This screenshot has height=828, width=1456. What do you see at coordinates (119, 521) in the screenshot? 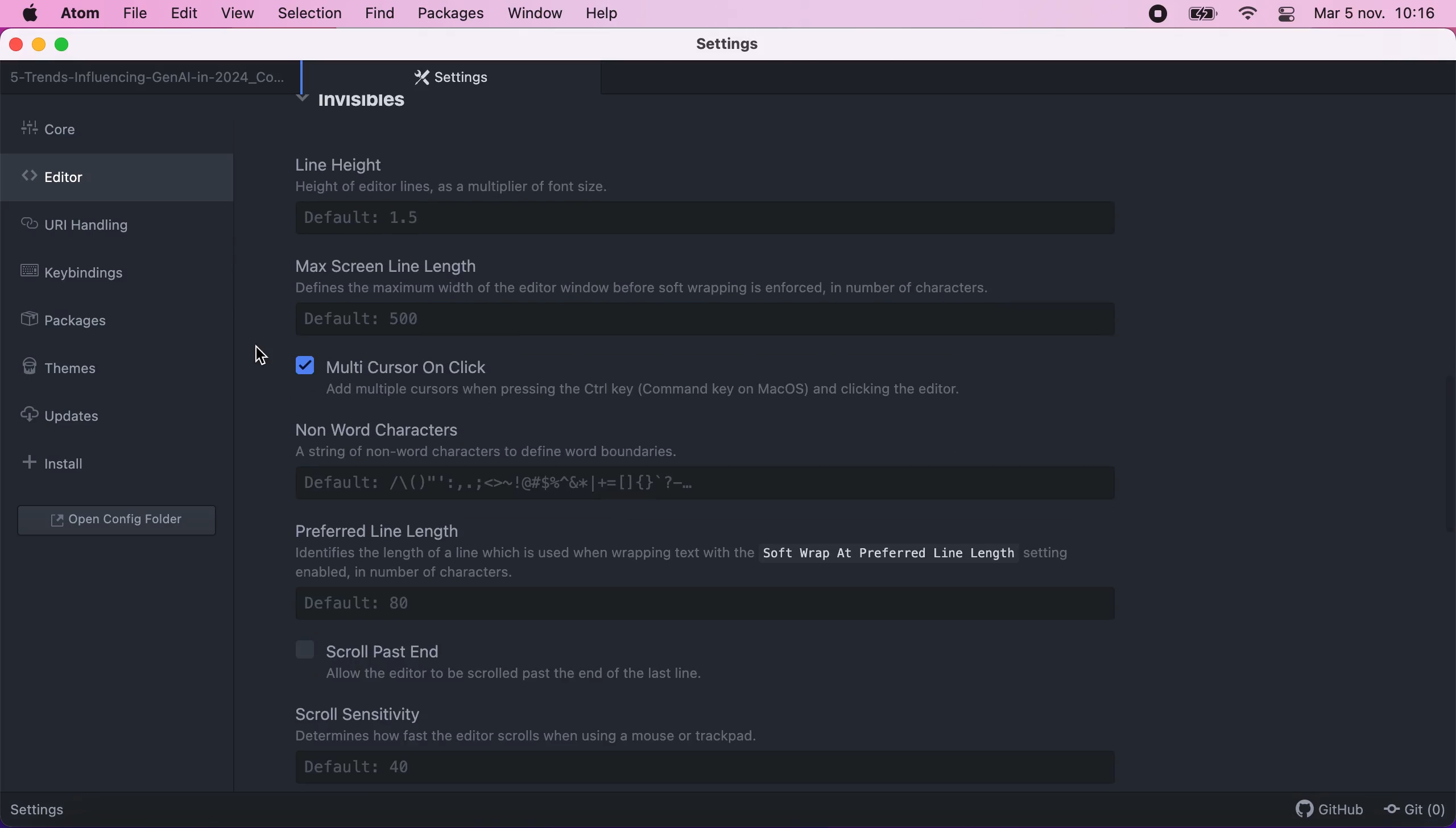
I see `open config folder` at bounding box center [119, 521].